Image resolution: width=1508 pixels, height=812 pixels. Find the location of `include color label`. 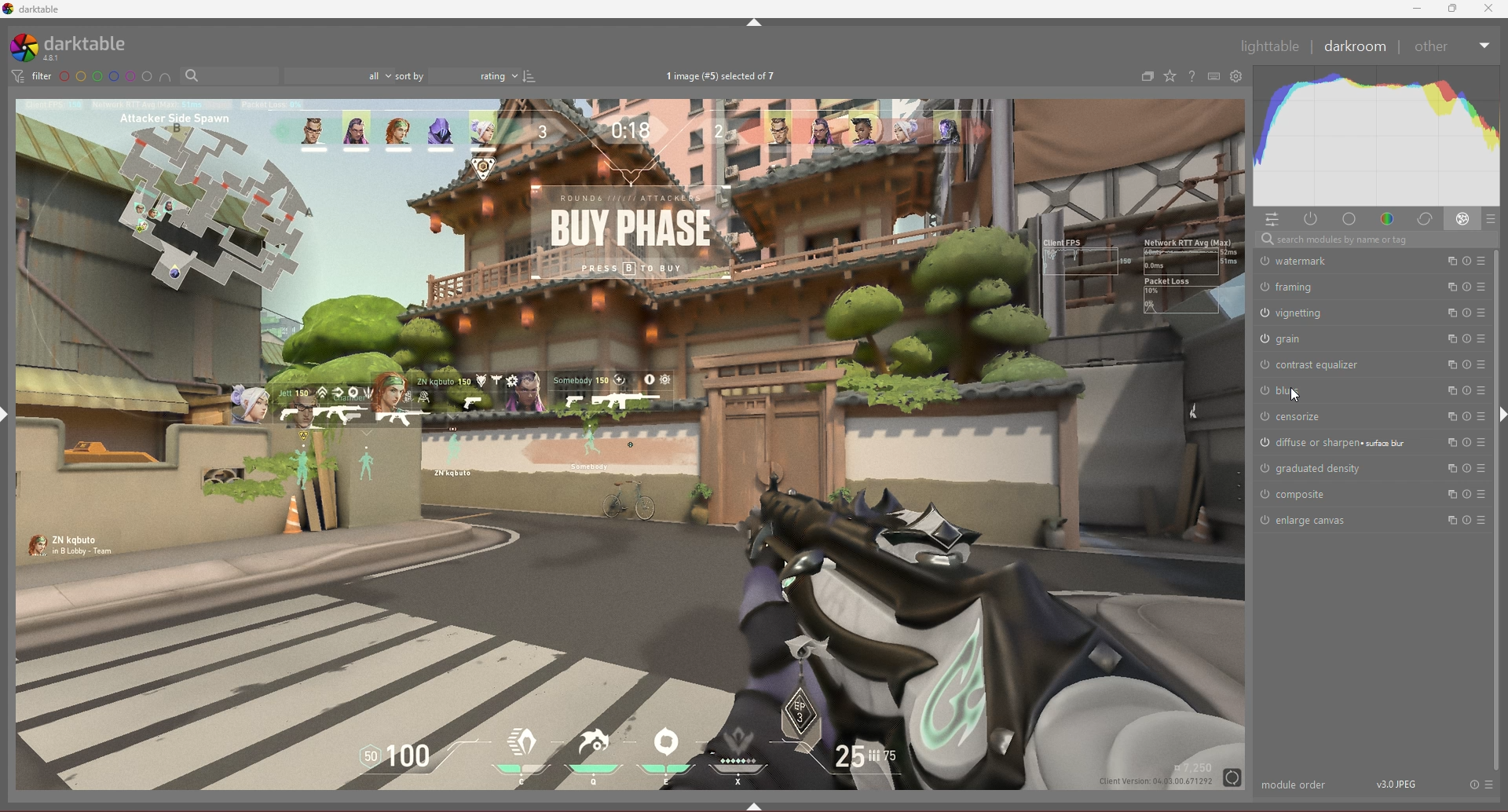

include color label is located at coordinates (164, 76).